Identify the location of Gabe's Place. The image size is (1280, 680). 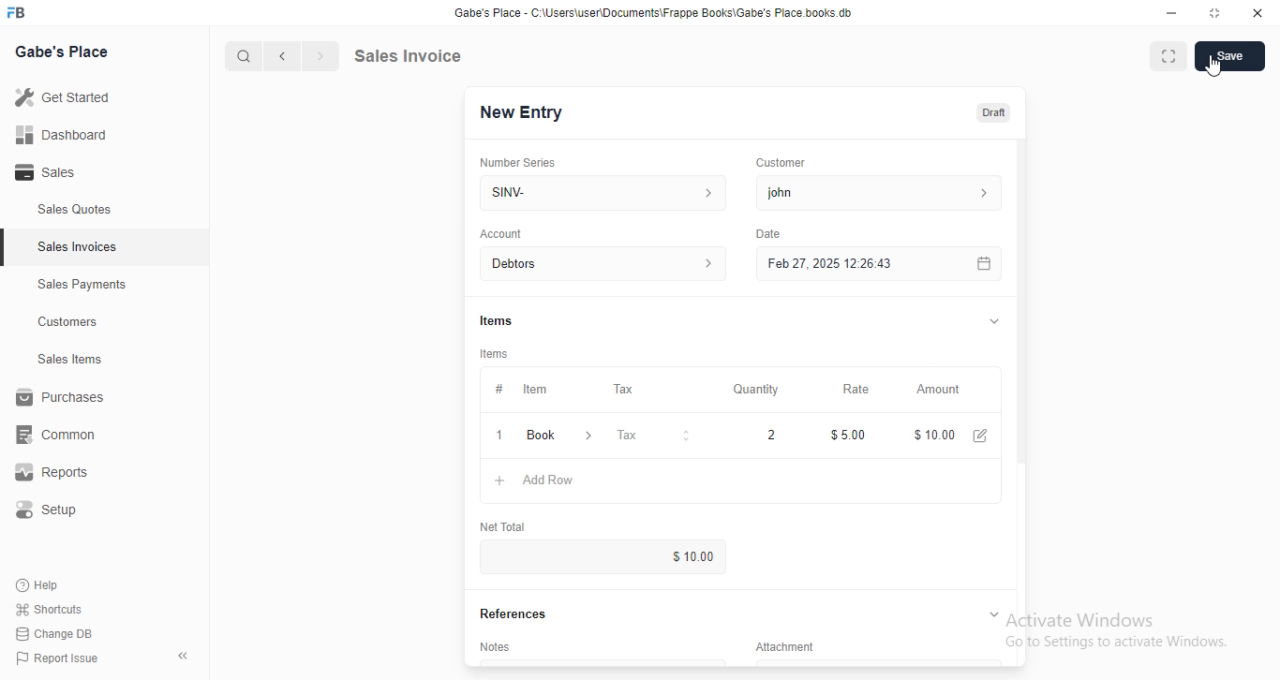
(65, 52).